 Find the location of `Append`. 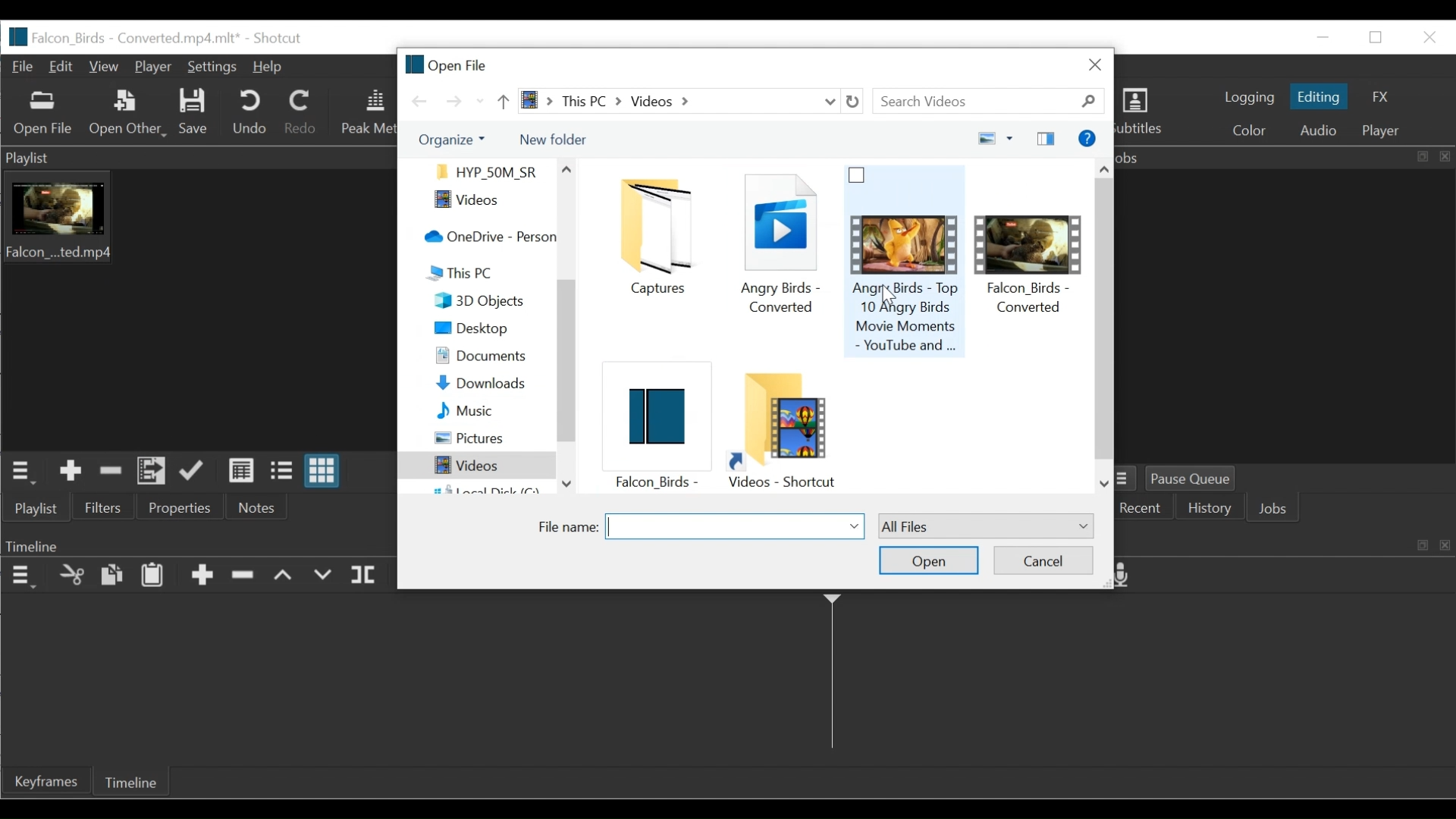

Append is located at coordinates (202, 577).